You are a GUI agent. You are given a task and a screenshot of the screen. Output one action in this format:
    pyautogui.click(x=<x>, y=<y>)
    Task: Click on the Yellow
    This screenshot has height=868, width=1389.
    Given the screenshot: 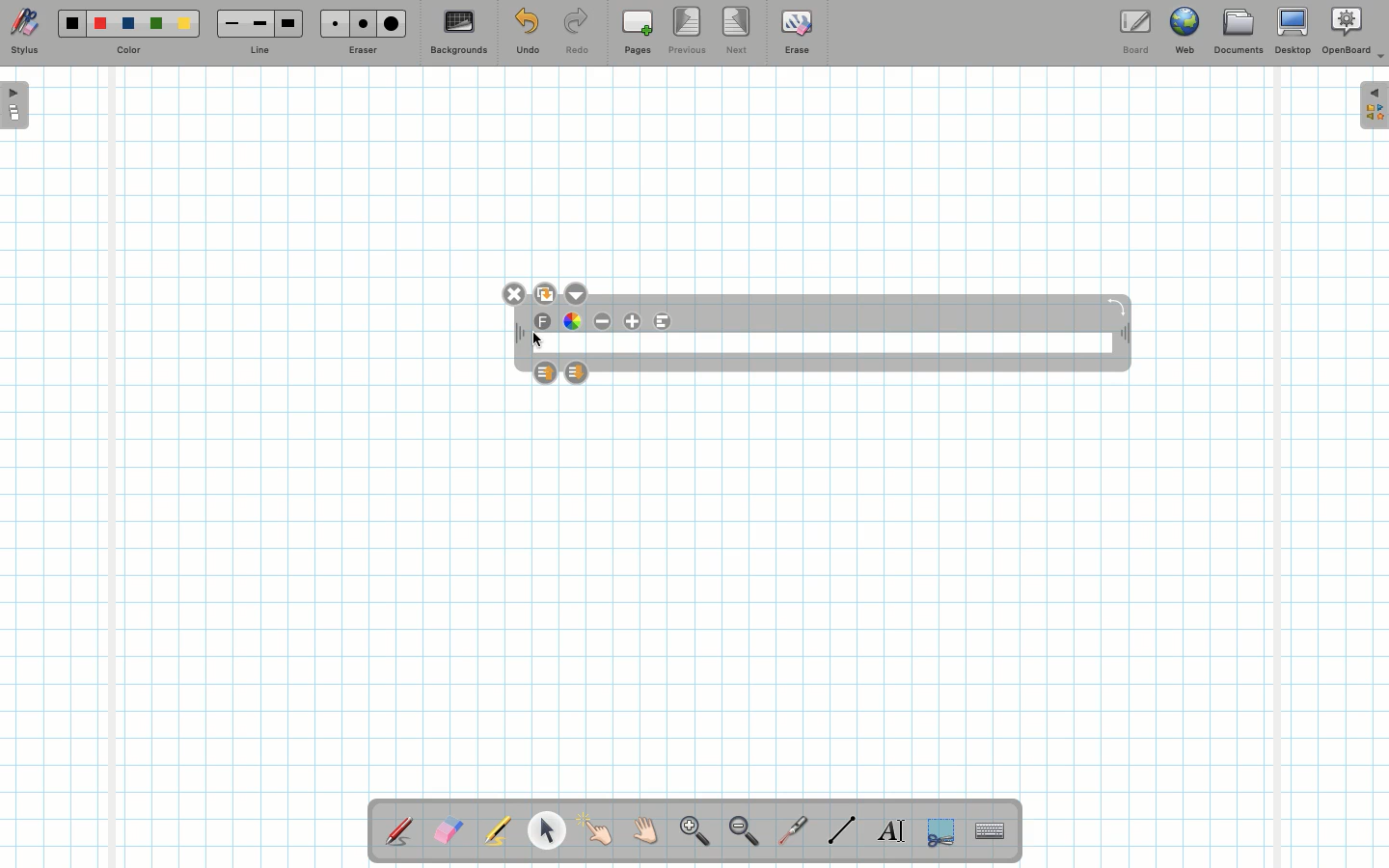 What is the action you would take?
    pyautogui.click(x=184, y=23)
    